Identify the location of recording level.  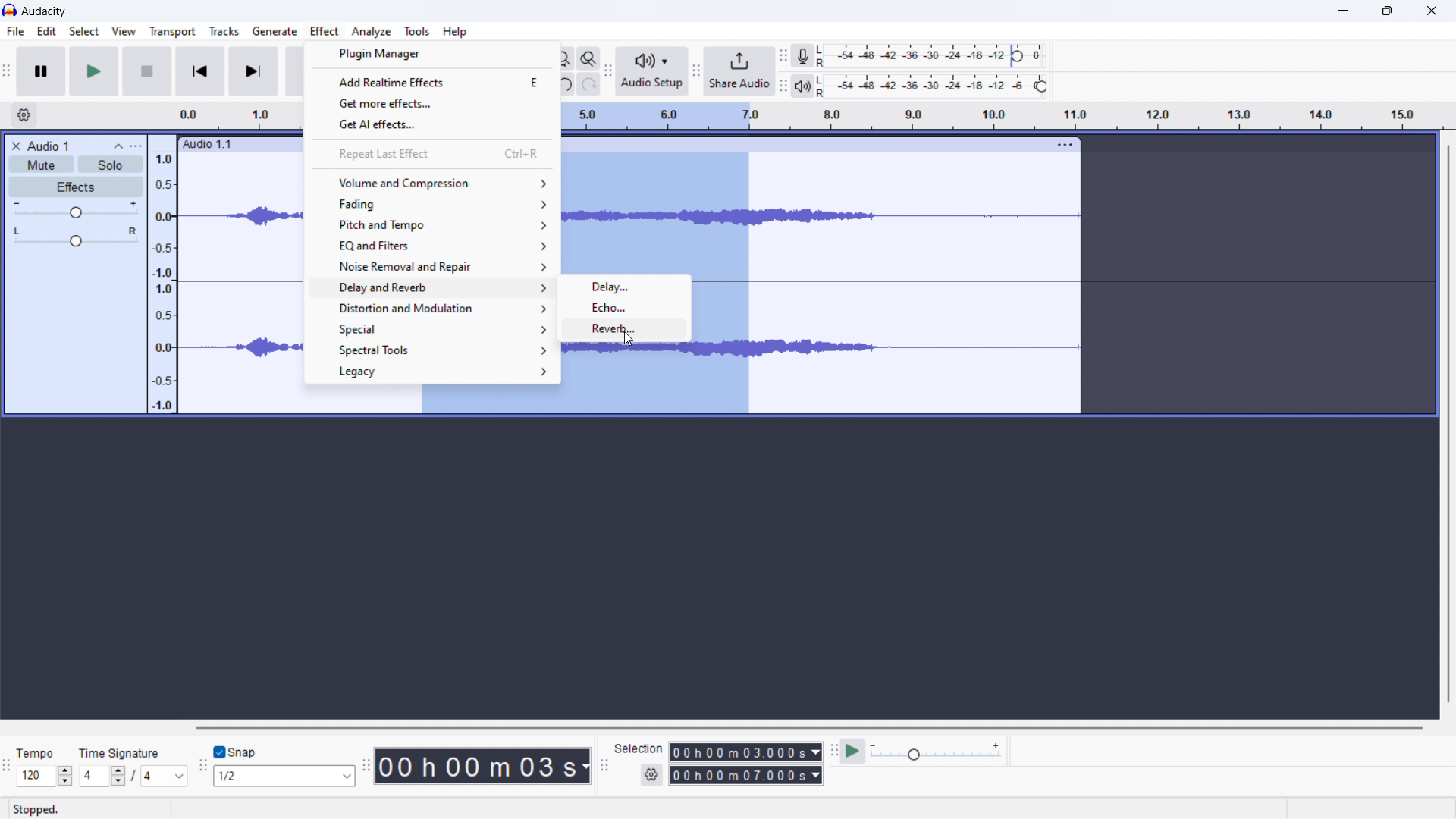
(934, 57).